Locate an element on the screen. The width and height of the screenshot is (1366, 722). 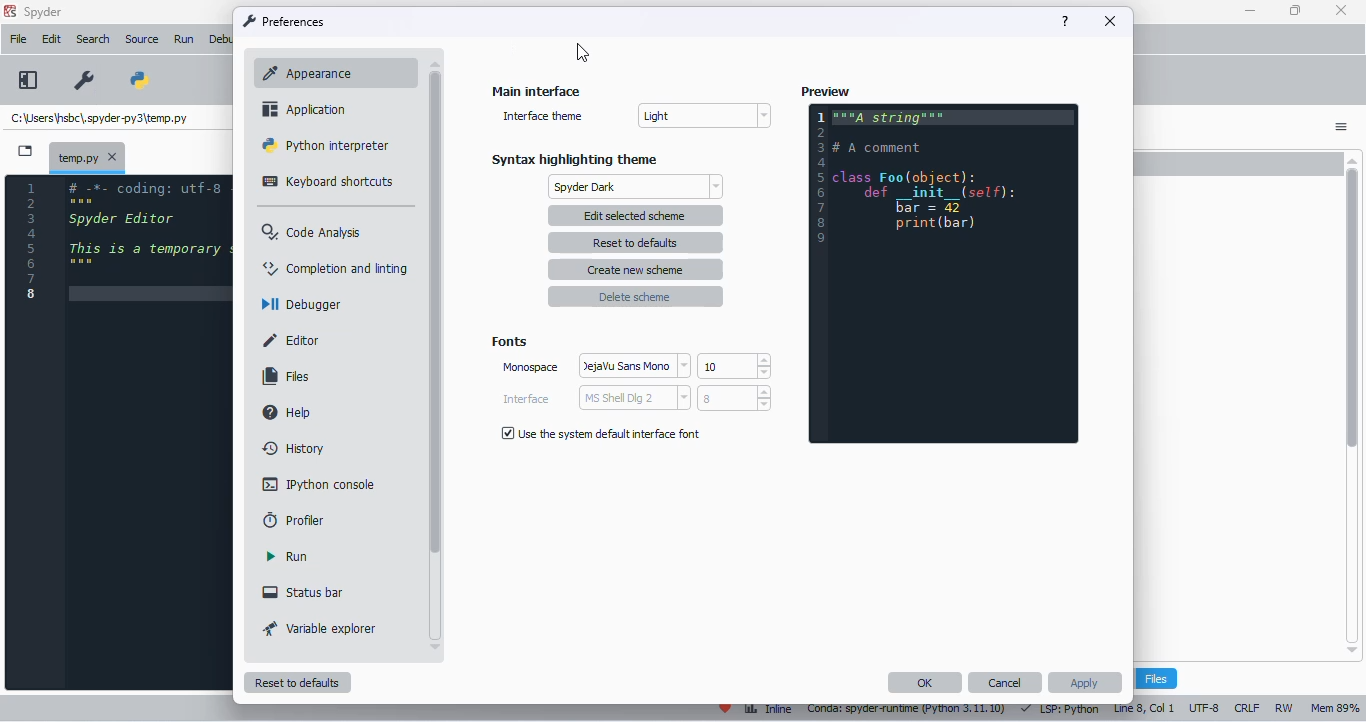
variable explorer is located at coordinates (320, 629).